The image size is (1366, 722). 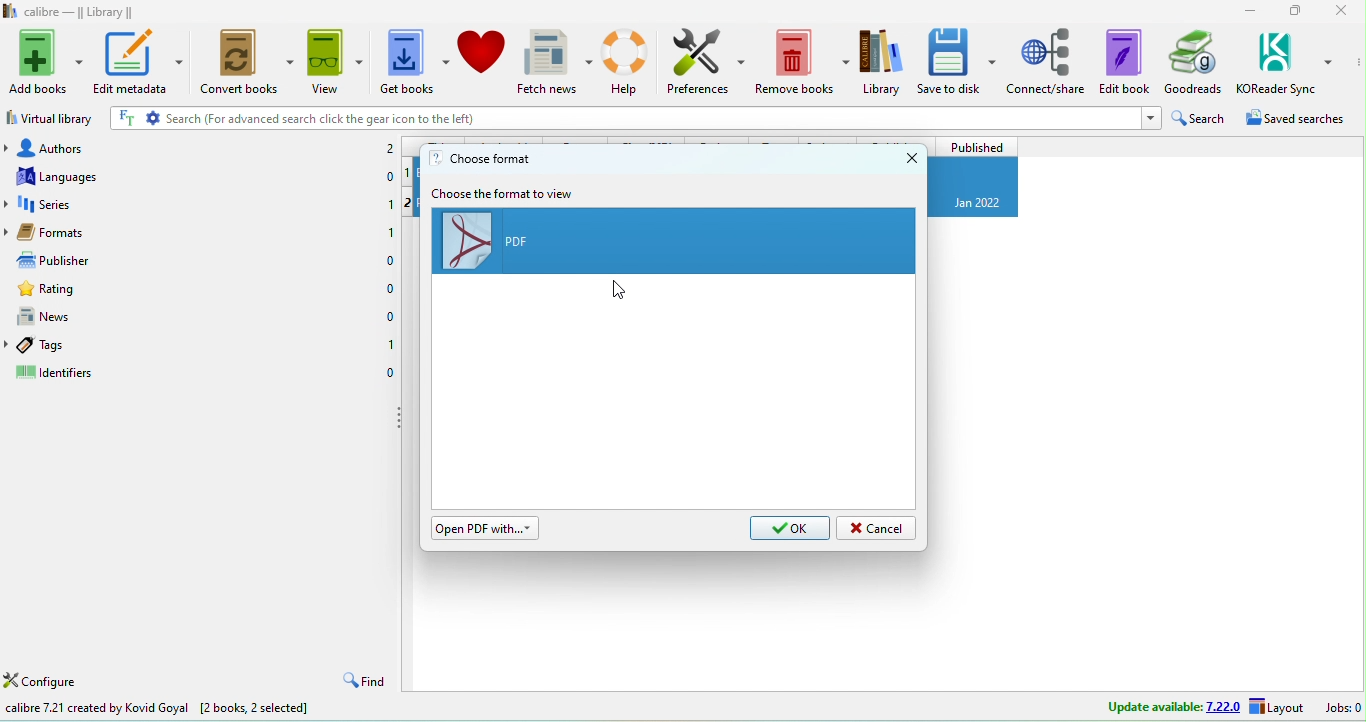 What do you see at coordinates (910, 157) in the screenshot?
I see `close` at bounding box center [910, 157].